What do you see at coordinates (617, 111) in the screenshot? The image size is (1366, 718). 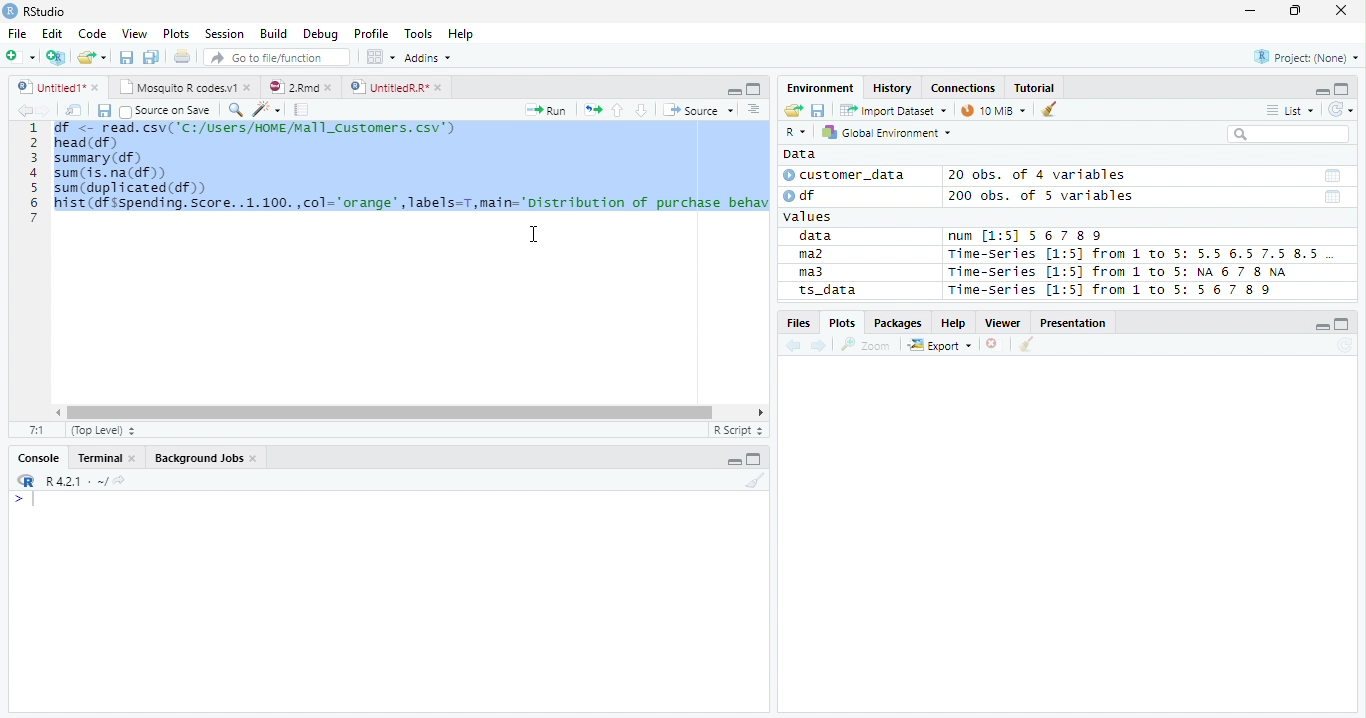 I see `Up` at bounding box center [617, 111].